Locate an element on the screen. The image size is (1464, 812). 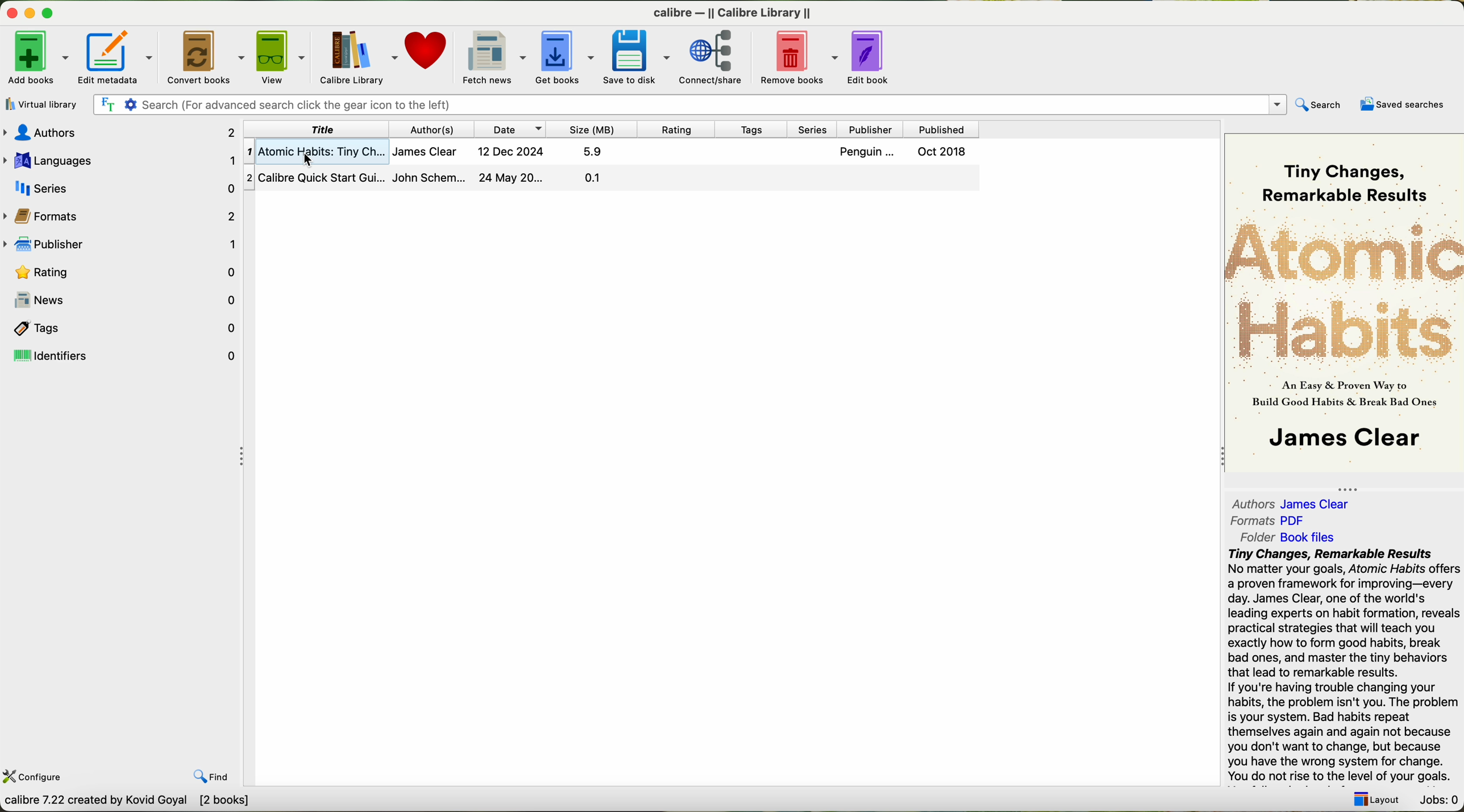
saved searches is located at coordinates (1401, 104).